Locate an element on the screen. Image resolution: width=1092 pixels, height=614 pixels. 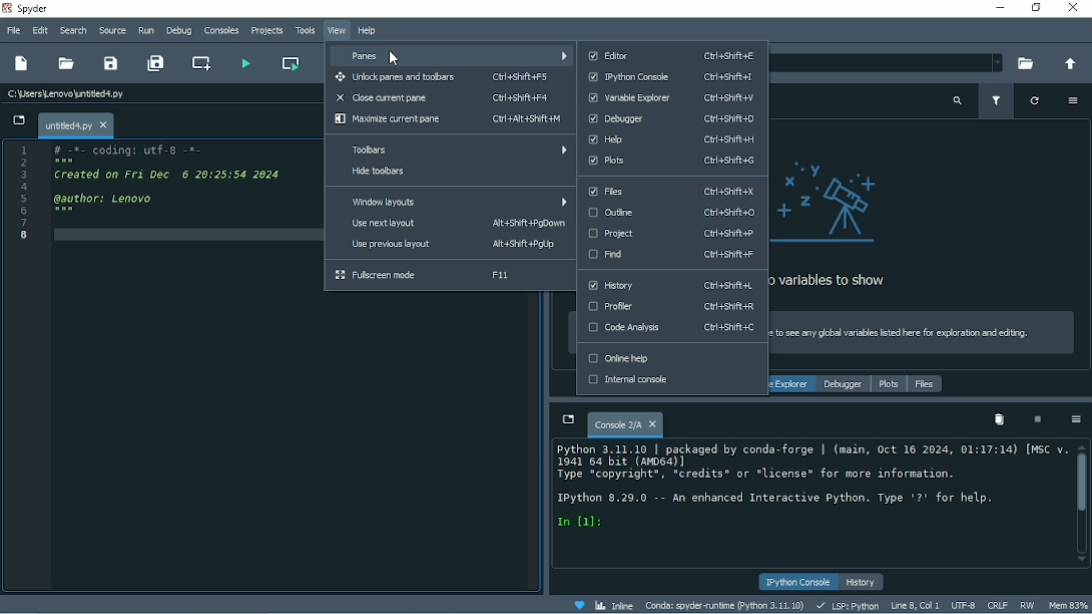
Open file is located at coordinates (67, 63).